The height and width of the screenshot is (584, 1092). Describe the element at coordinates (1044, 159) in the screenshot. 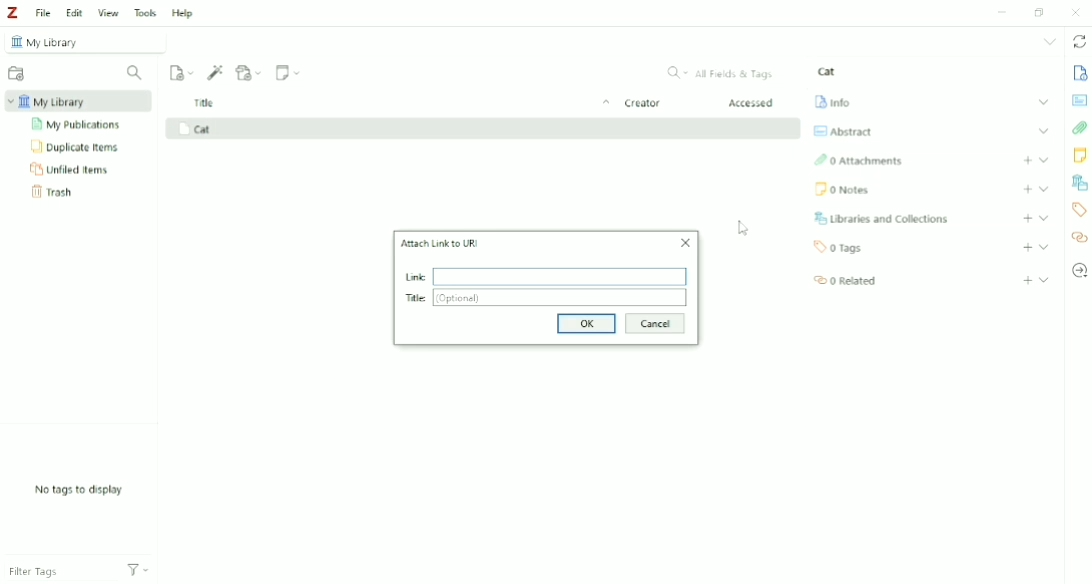

I see `Expand section` at that location.